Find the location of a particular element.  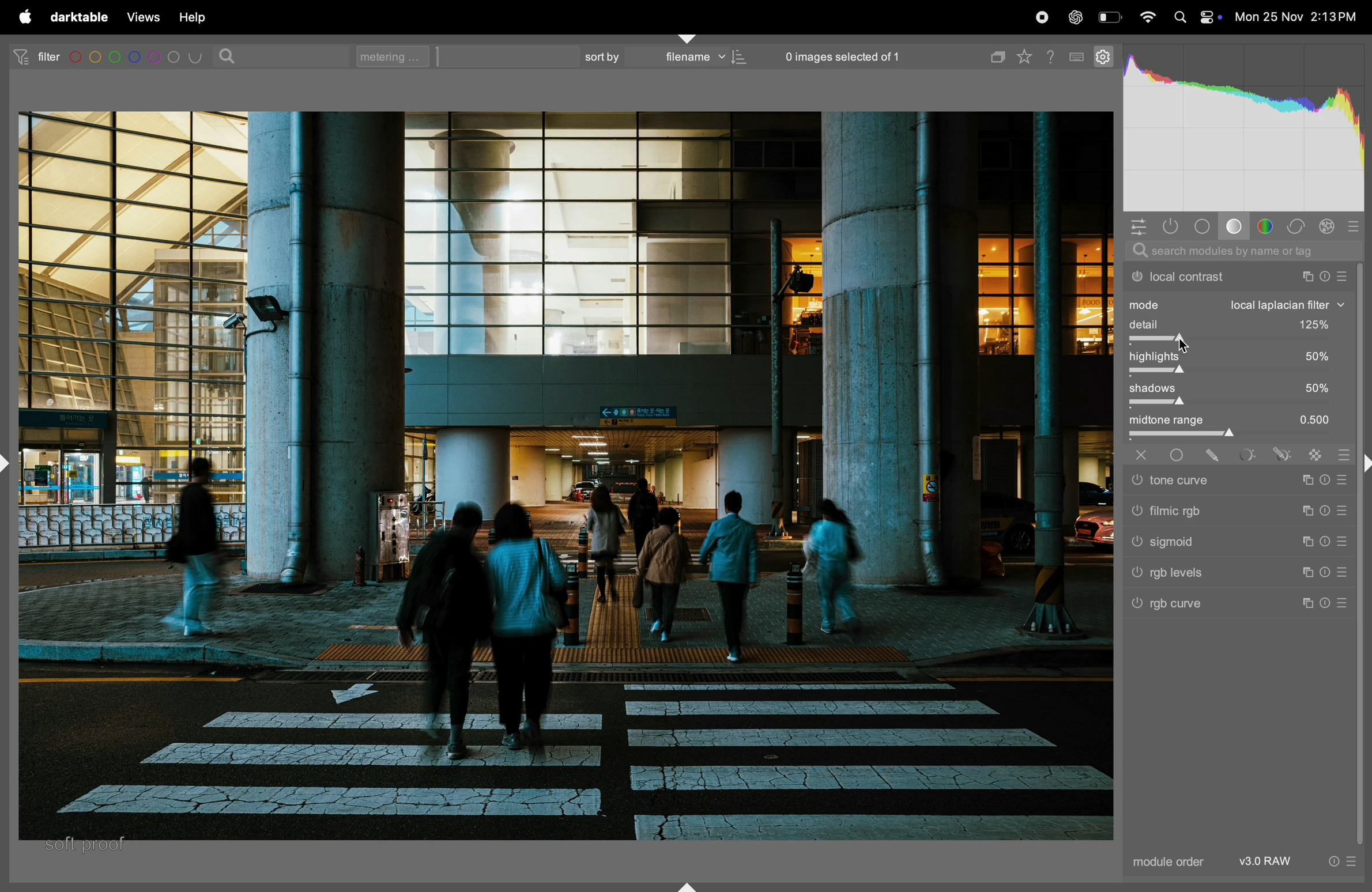

toggle is located at coordinates (1238, 342).